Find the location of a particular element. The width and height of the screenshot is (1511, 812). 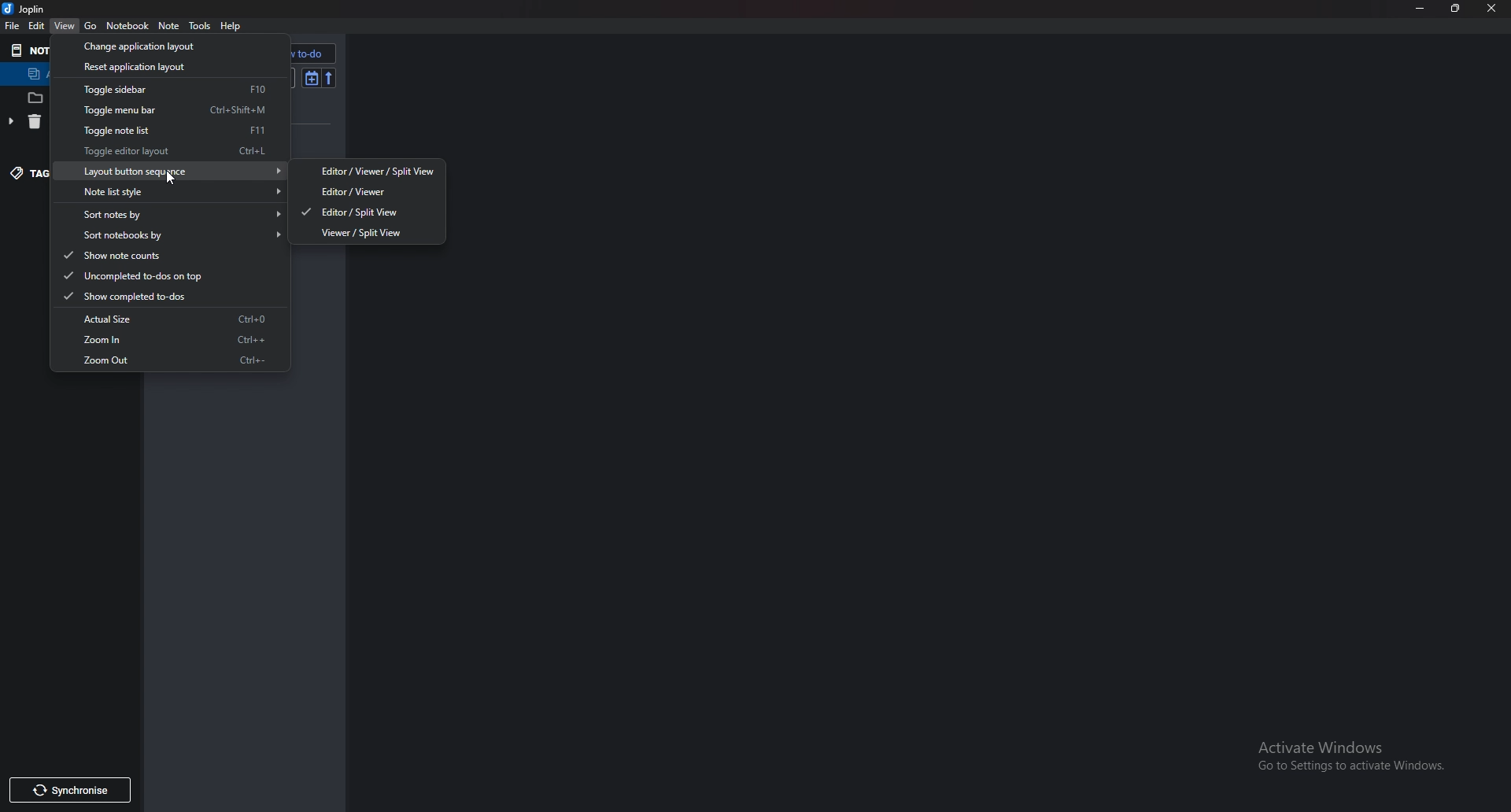

Layout button sequence is located at coordinates (179, 171).